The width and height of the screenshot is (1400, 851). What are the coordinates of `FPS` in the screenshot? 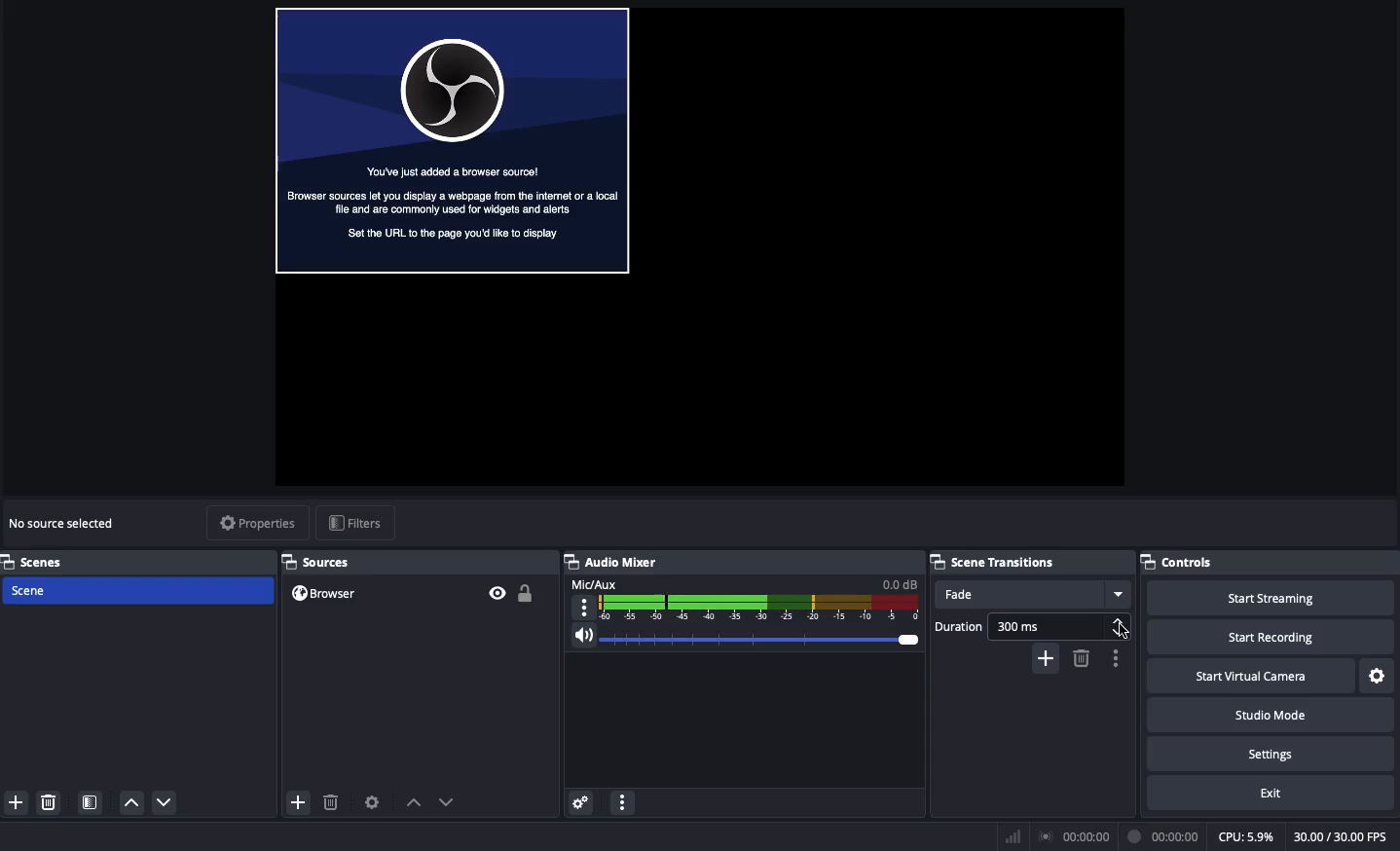 It's located at (1338, 835).